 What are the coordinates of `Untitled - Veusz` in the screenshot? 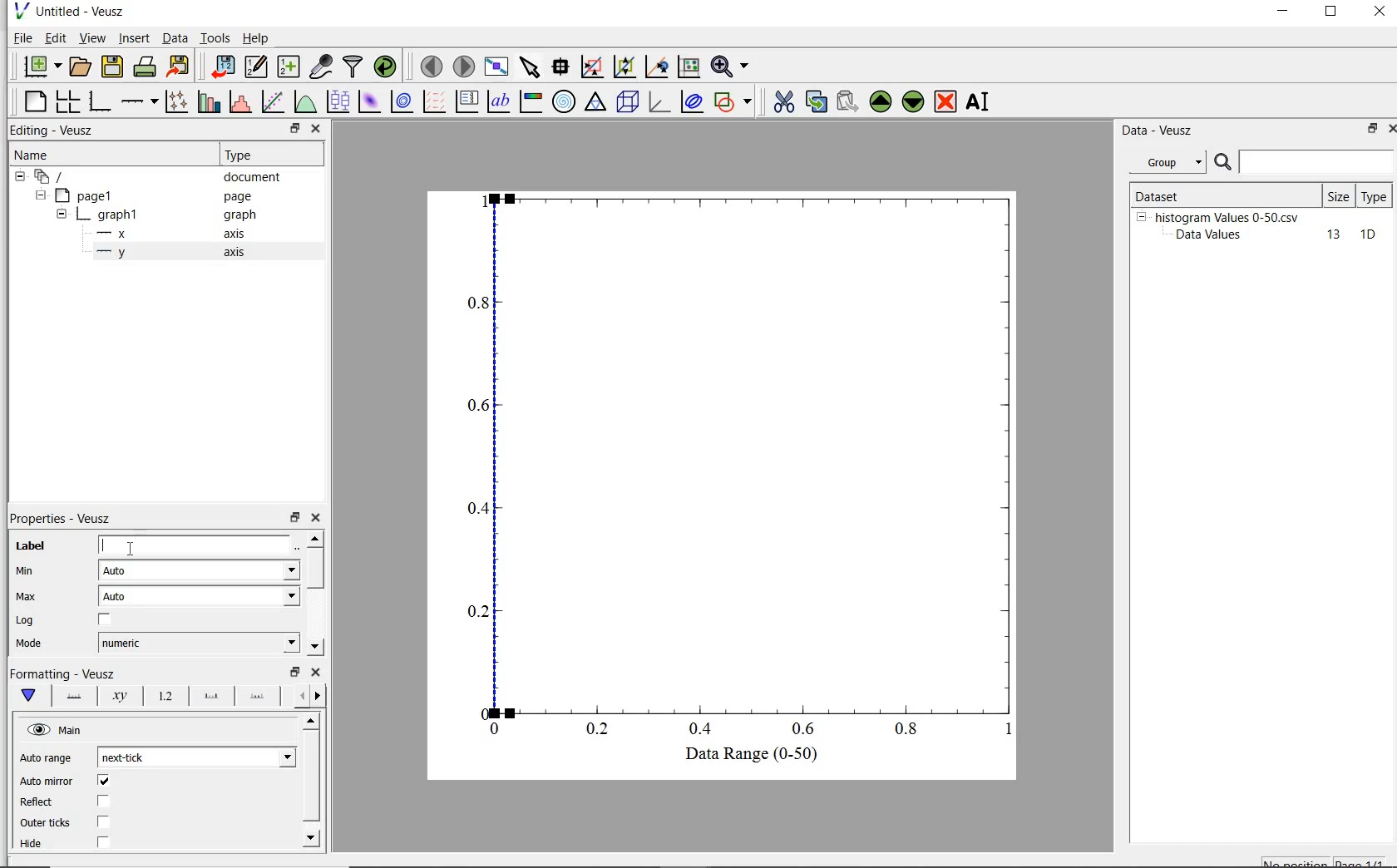 It's located at (84, 11).